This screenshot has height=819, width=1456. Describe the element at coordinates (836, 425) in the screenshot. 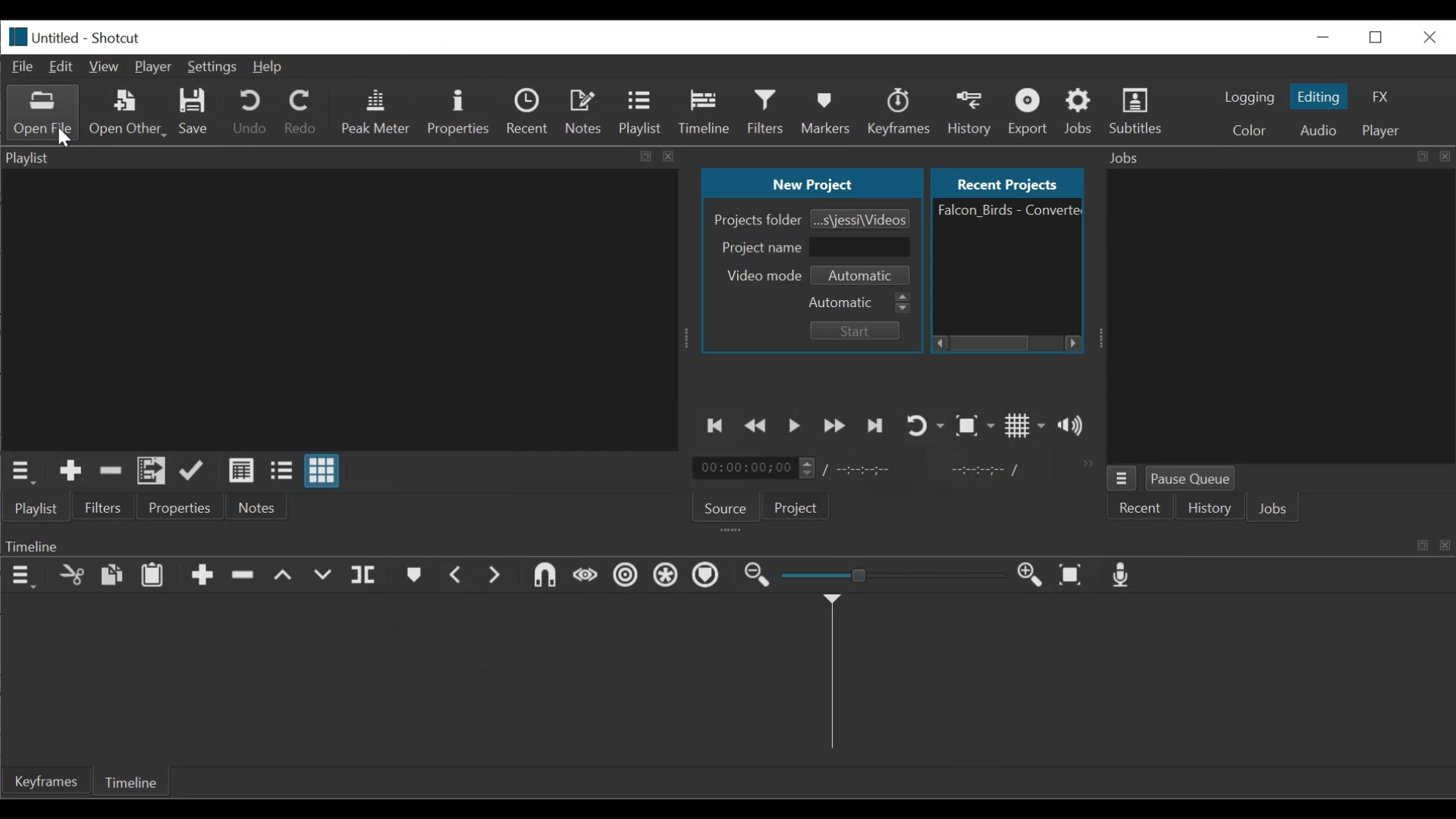

I see `Play quickly forward` at that location.